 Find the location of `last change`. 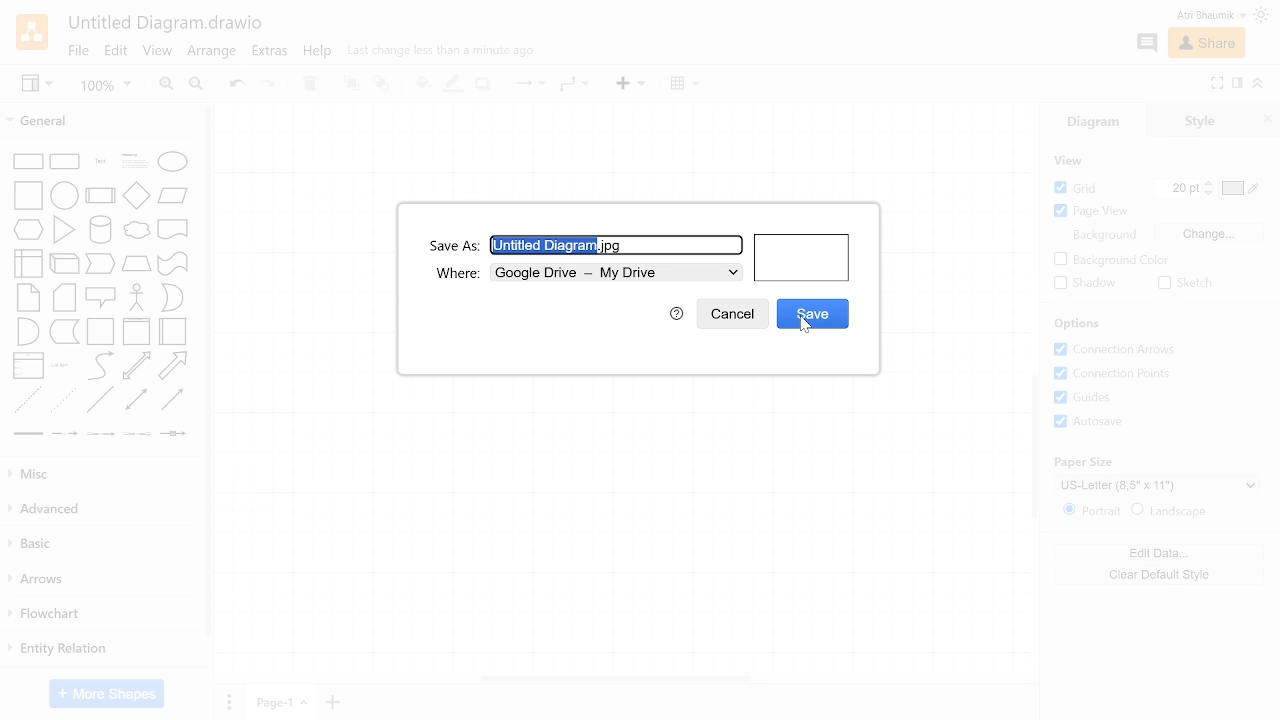

last change is located at coordinates (446, 51).